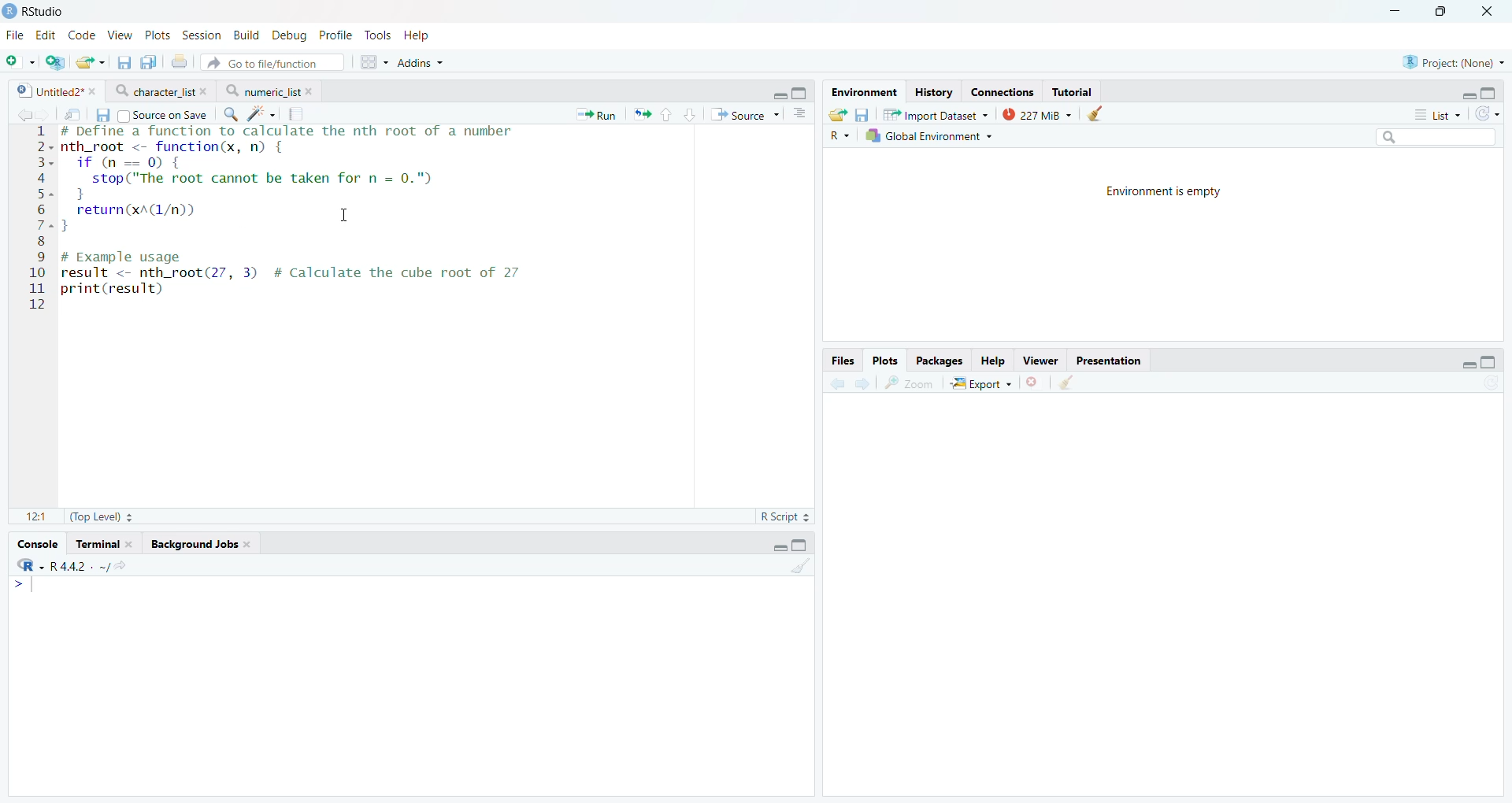 The image size is (1512, 803). I want to click on R Script, so click(786, 517).